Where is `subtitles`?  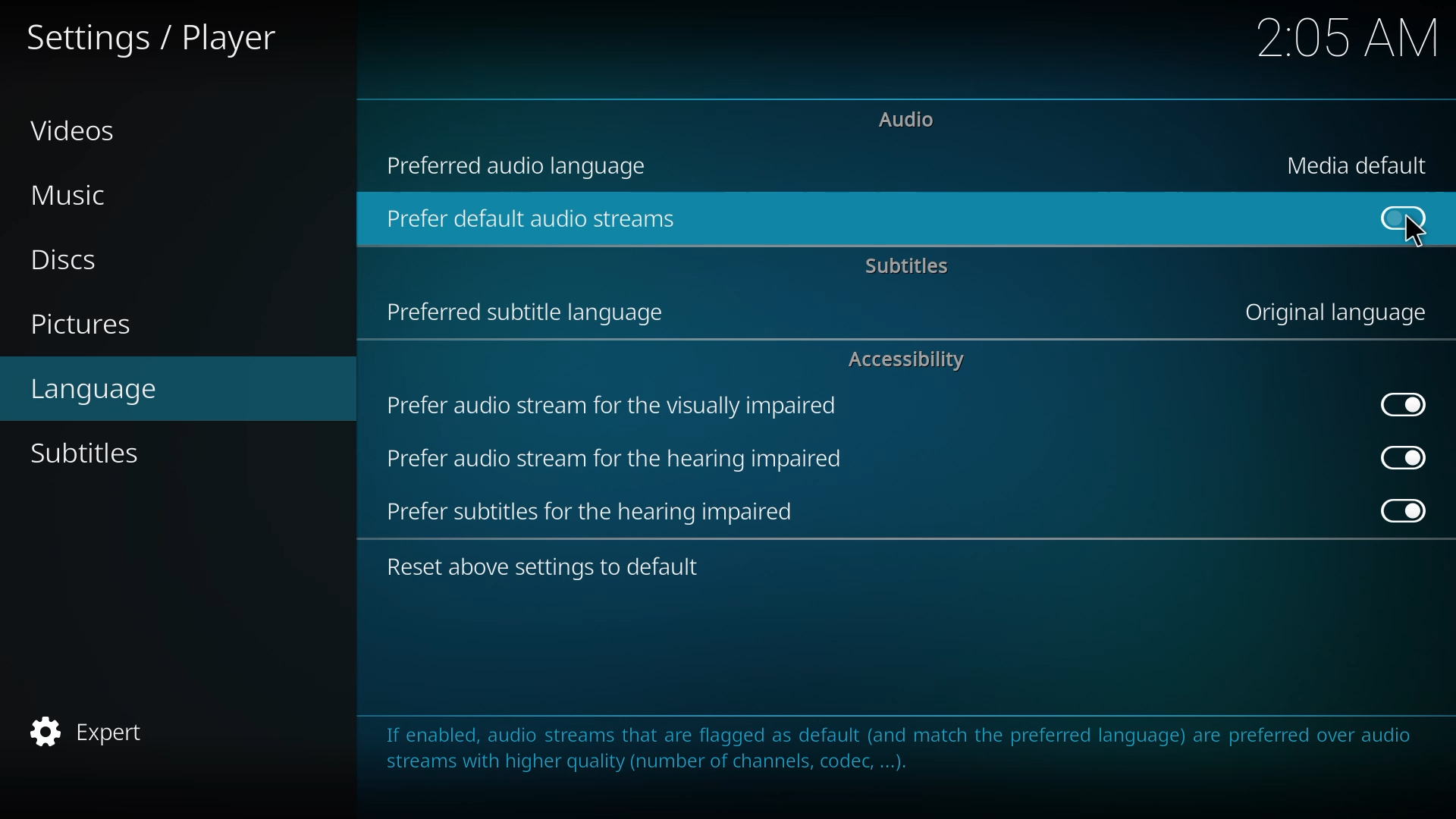
subtitles is located at coordinates (910, 265).